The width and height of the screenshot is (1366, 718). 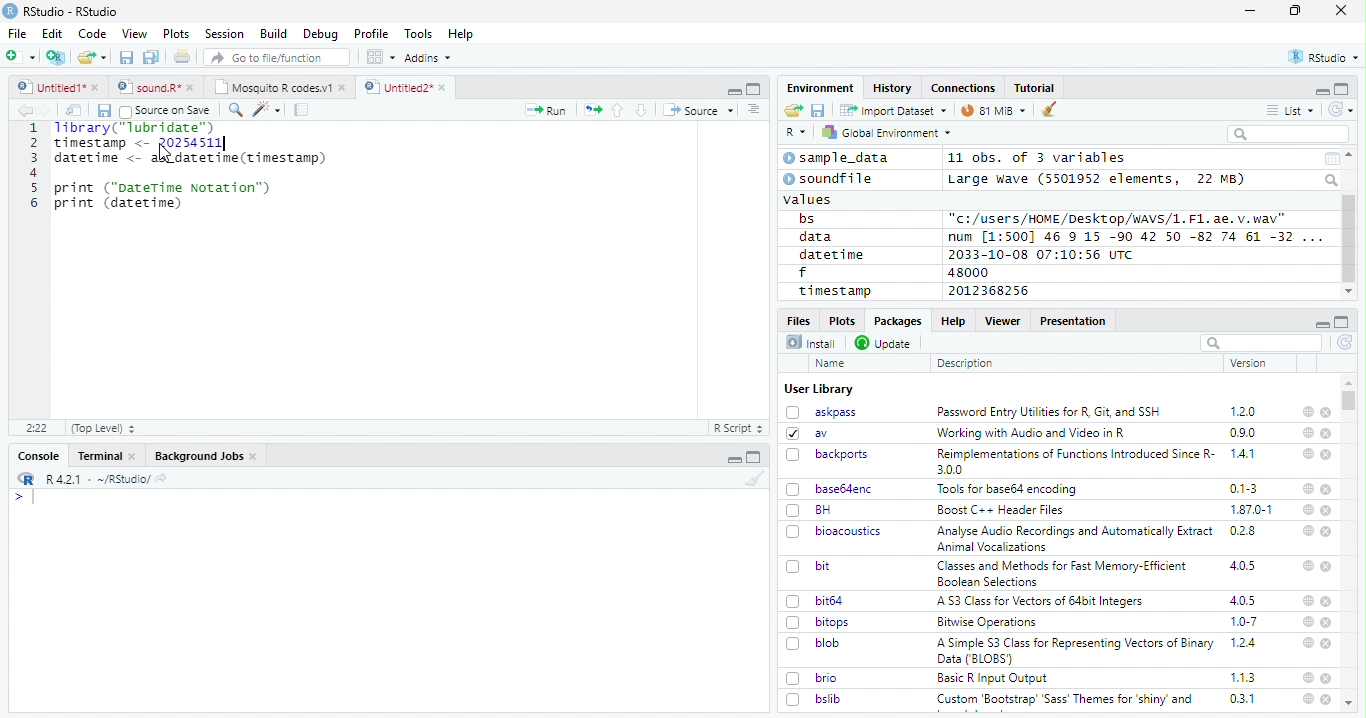 What do you see at coordinates (103, 111) in the screenshot?
I see `Save` at bounding box center [103, 111].